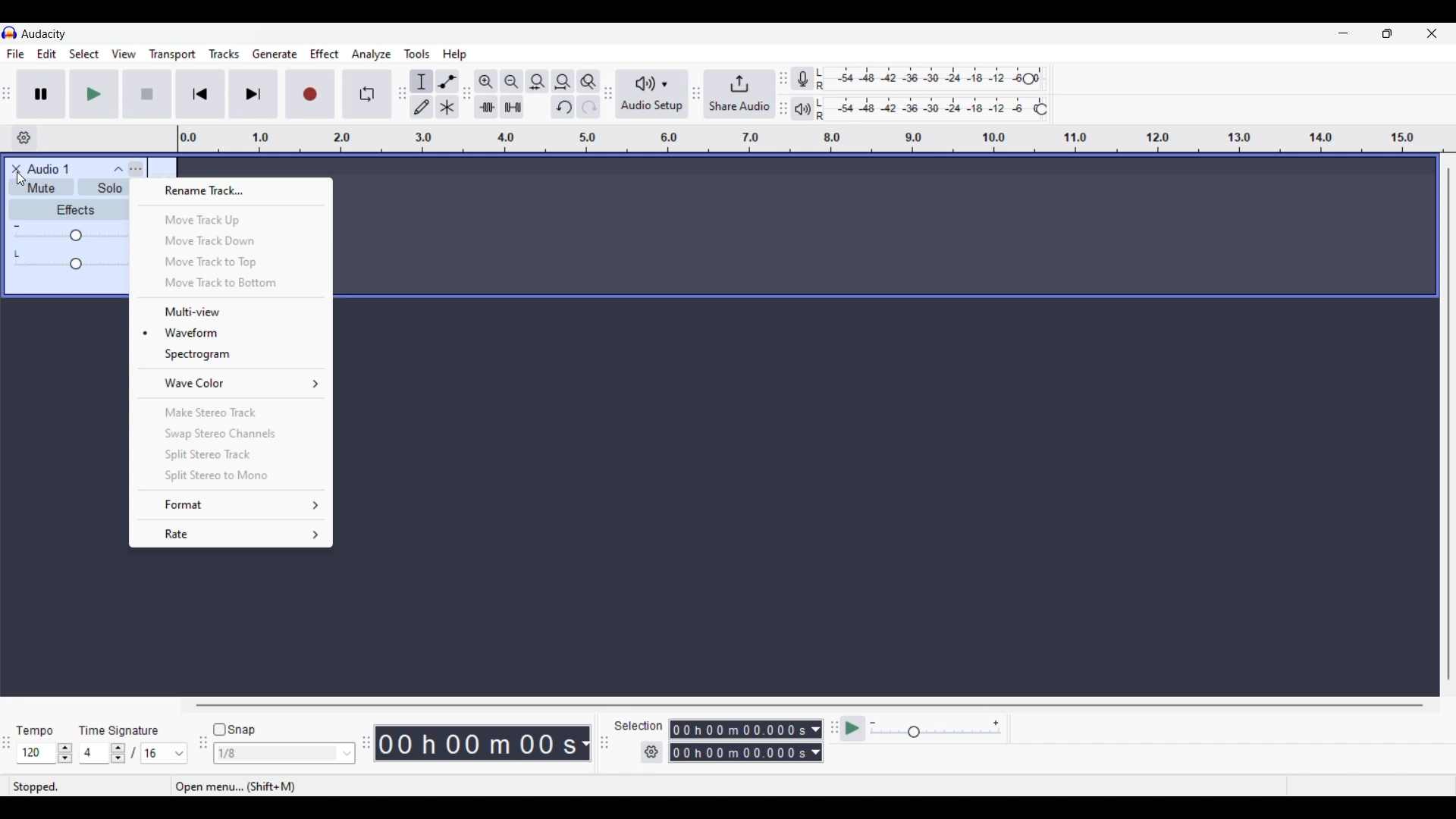 The width and height of the screenshot is (1456, 819). Describe the element at coordinates (70, 237) in the screenshot. I see `Slider` at that location.